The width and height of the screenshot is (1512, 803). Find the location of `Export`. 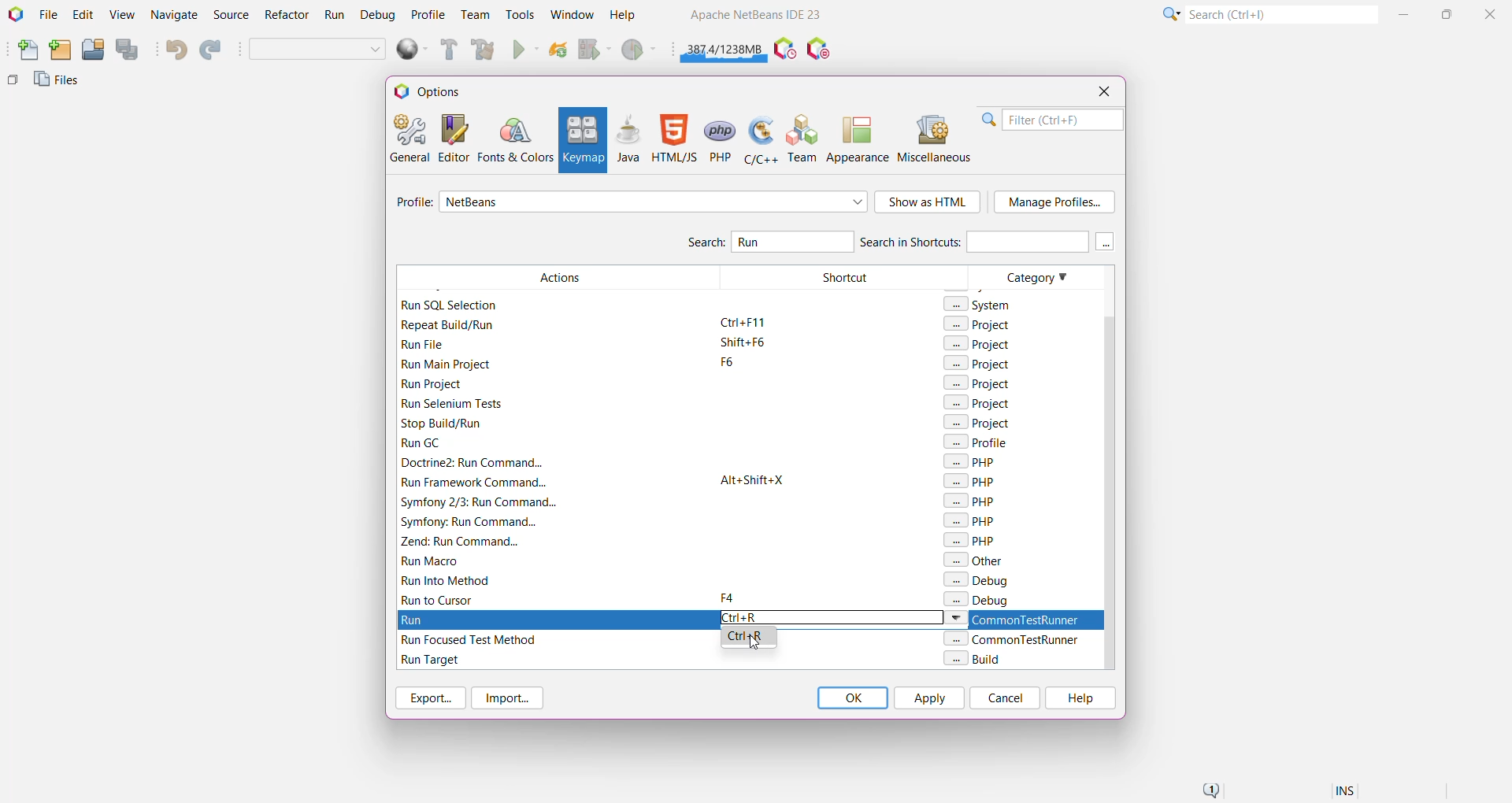

Export is located at coordinates (428, 698).